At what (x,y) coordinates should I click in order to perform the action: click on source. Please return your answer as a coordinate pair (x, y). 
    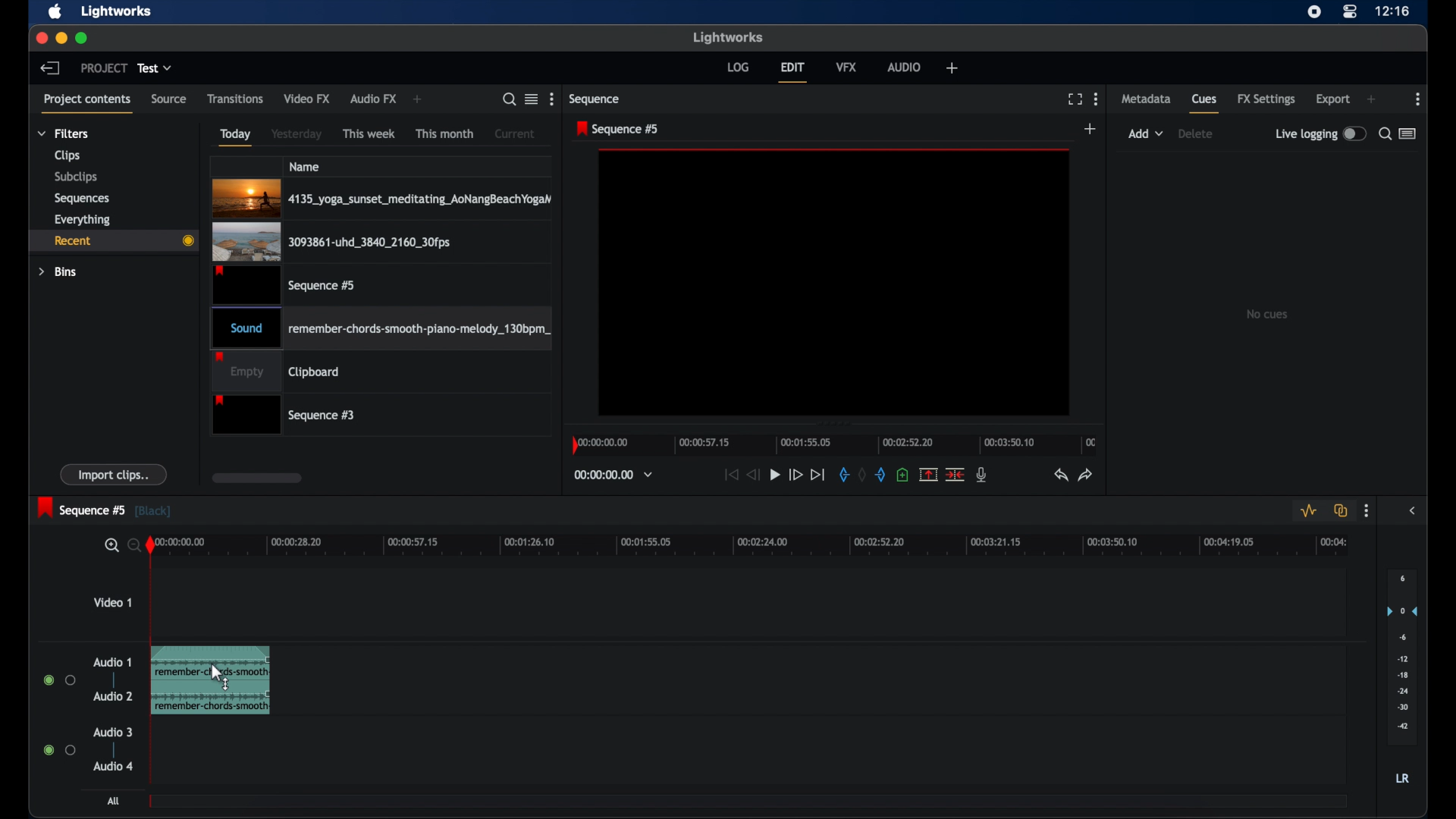
    Looking at the image, I should click on (169, 99).